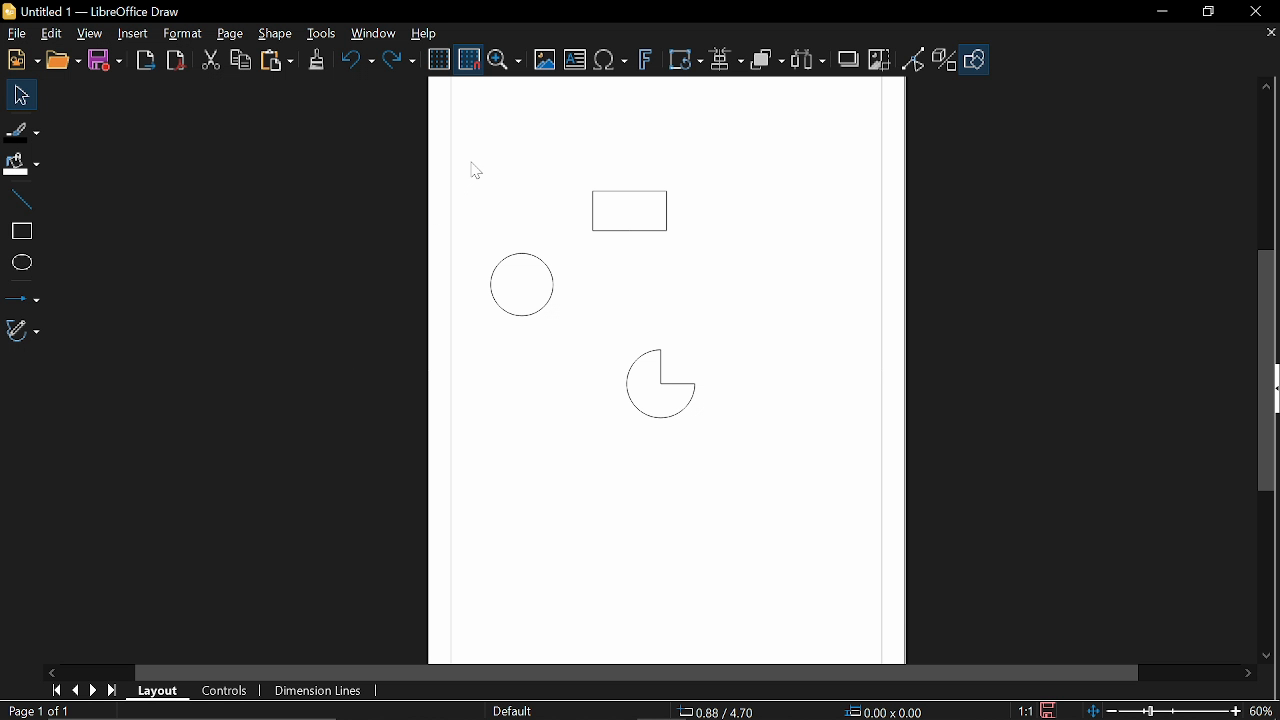  Describe the element at coordinates (131, 35) in the screenshot. I see `Insert` at that location.